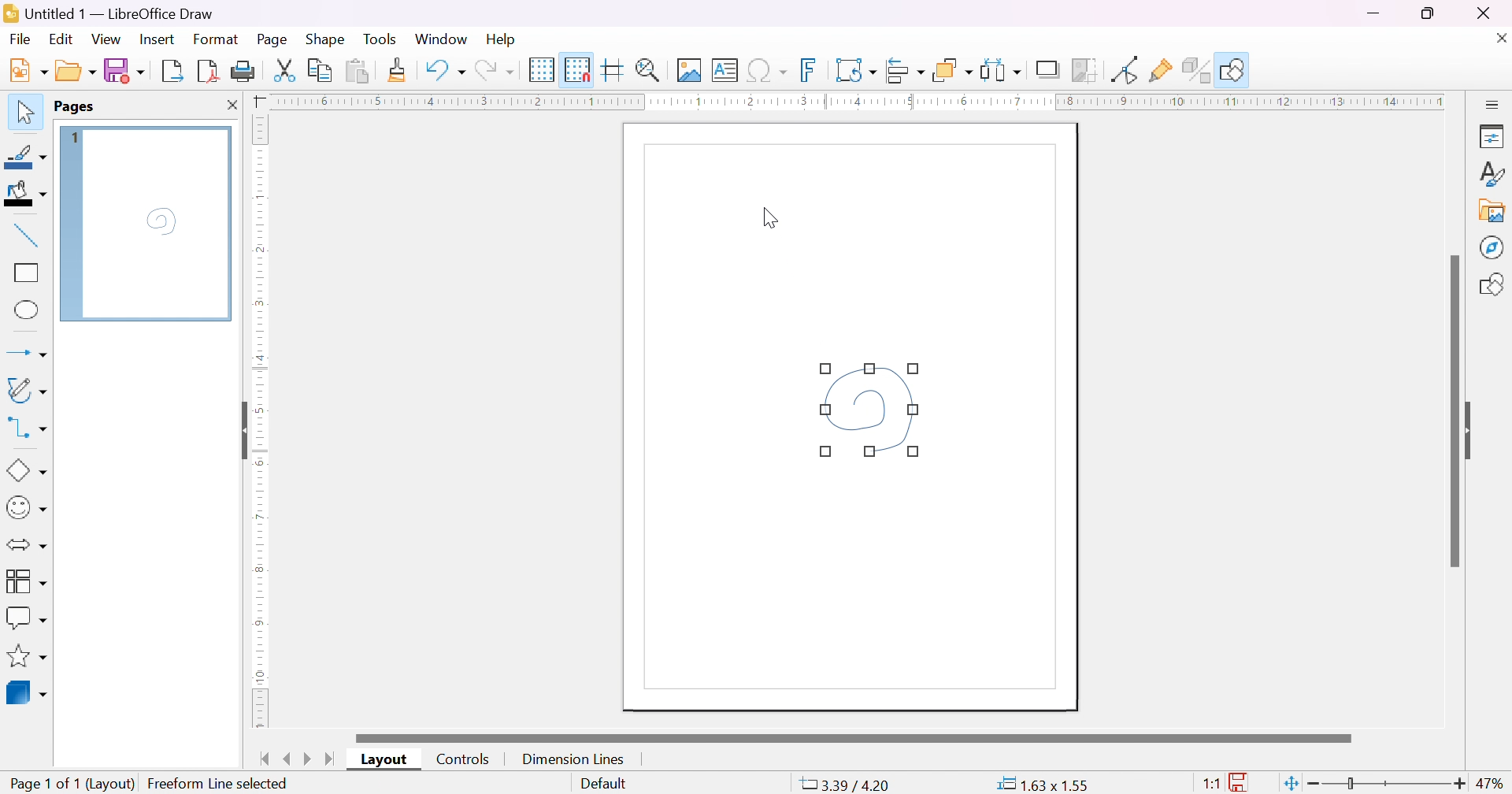 This screenshot has height=794, width=1512. I want to click on slide master name. Right-click for list or click for dialog., so click(603, 785).